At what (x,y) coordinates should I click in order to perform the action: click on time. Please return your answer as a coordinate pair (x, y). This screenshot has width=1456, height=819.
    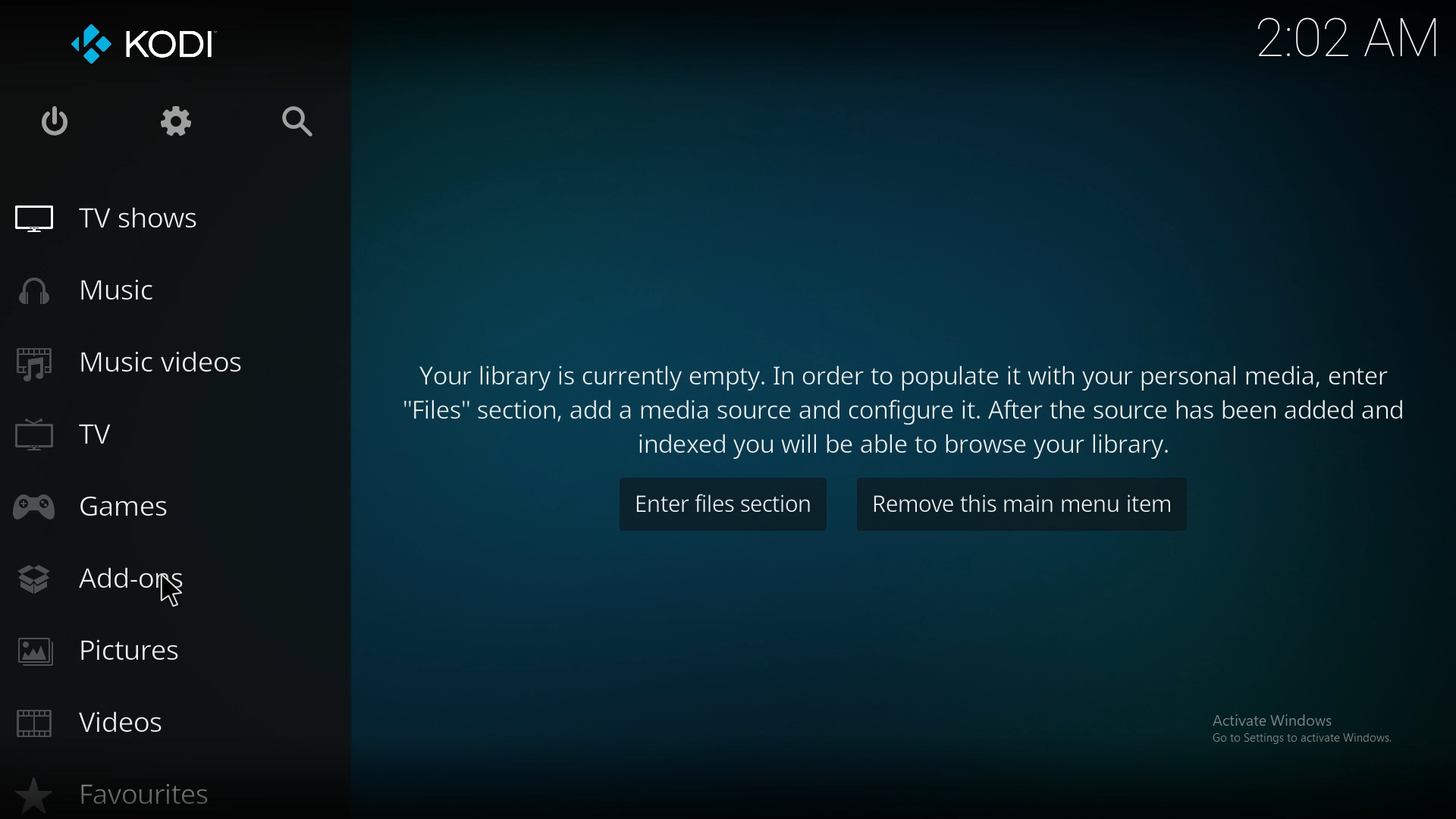
    Looking at the image, I should click on (1373, 37).